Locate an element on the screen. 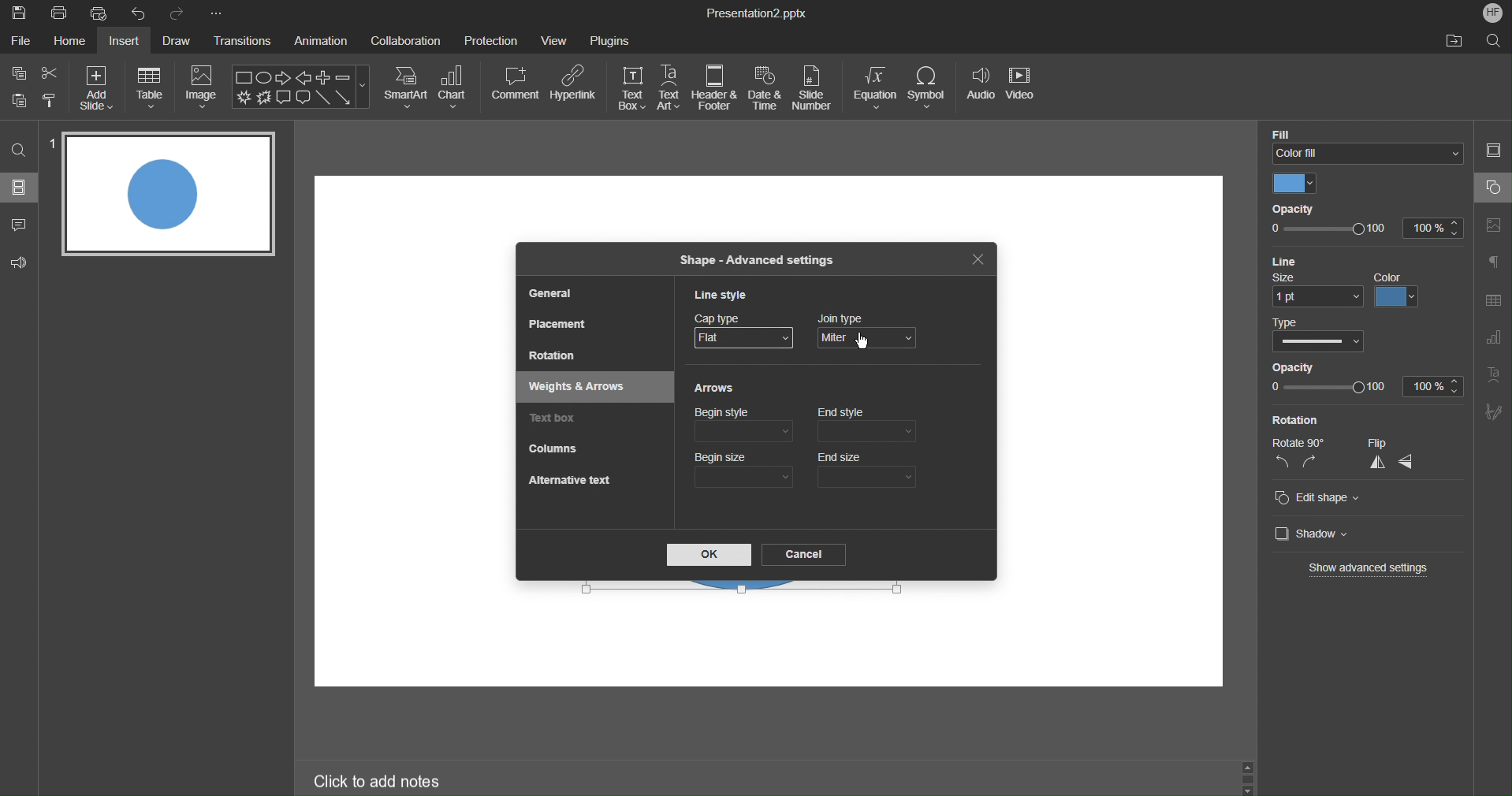 This screenshot has width=1512, height=796. Signature is located at coordinates (1494, 413).